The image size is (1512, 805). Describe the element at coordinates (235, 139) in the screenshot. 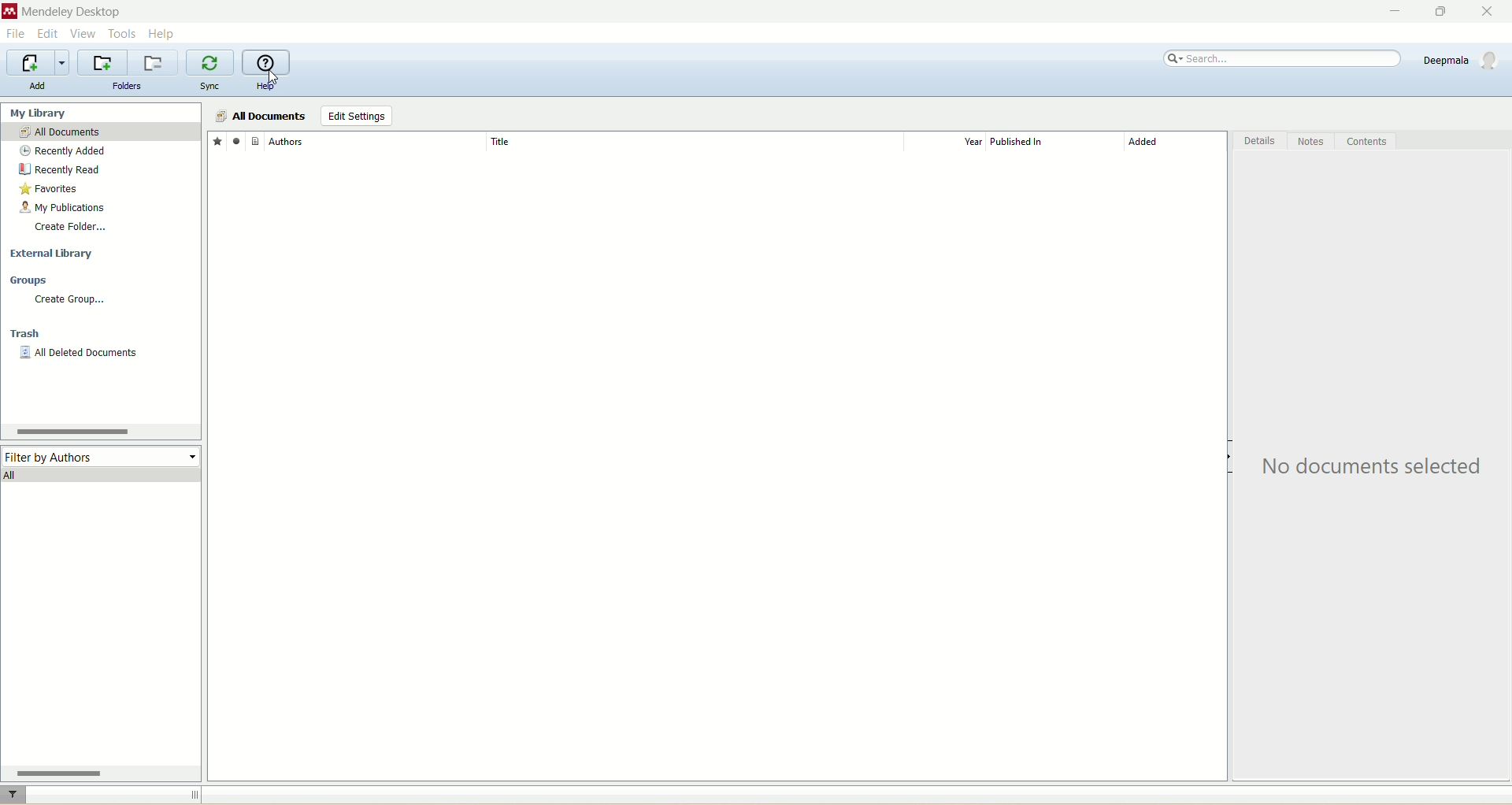

I see `read/unread` at that location.